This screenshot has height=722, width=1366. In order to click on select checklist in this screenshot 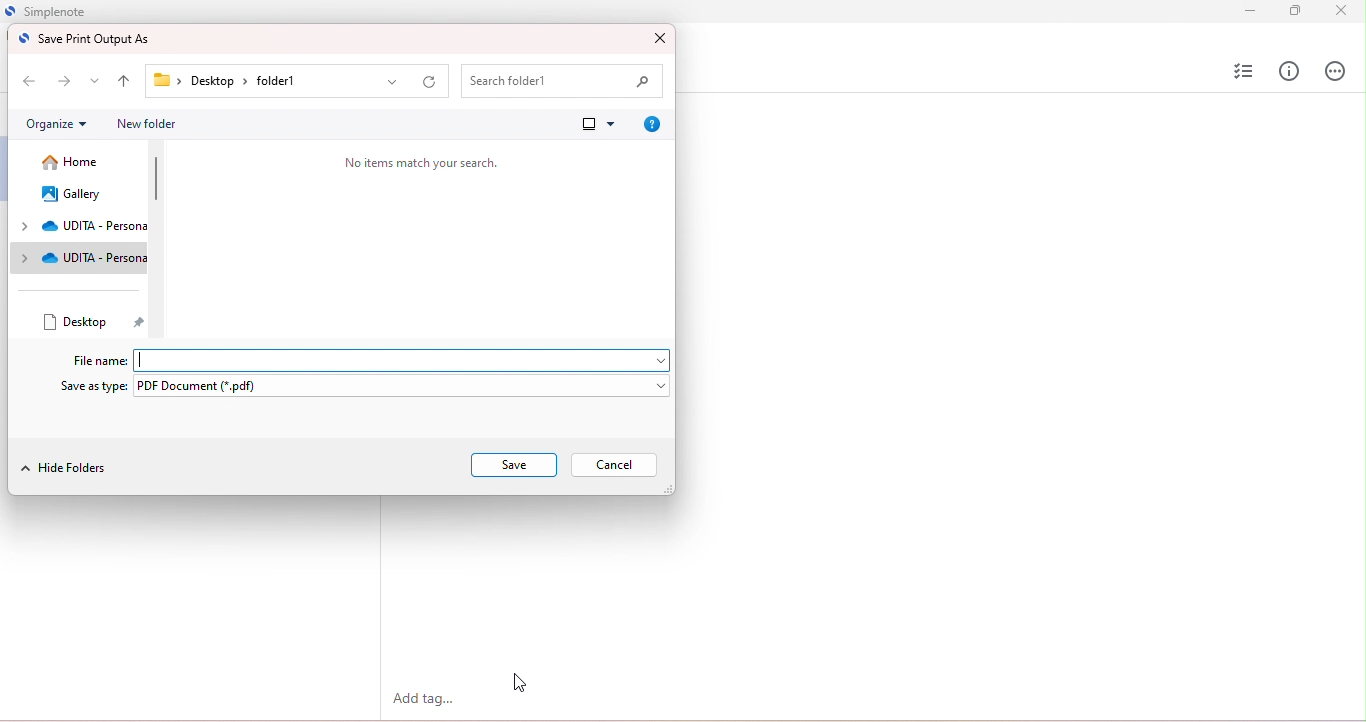, I will do `click(1240, 71)`.